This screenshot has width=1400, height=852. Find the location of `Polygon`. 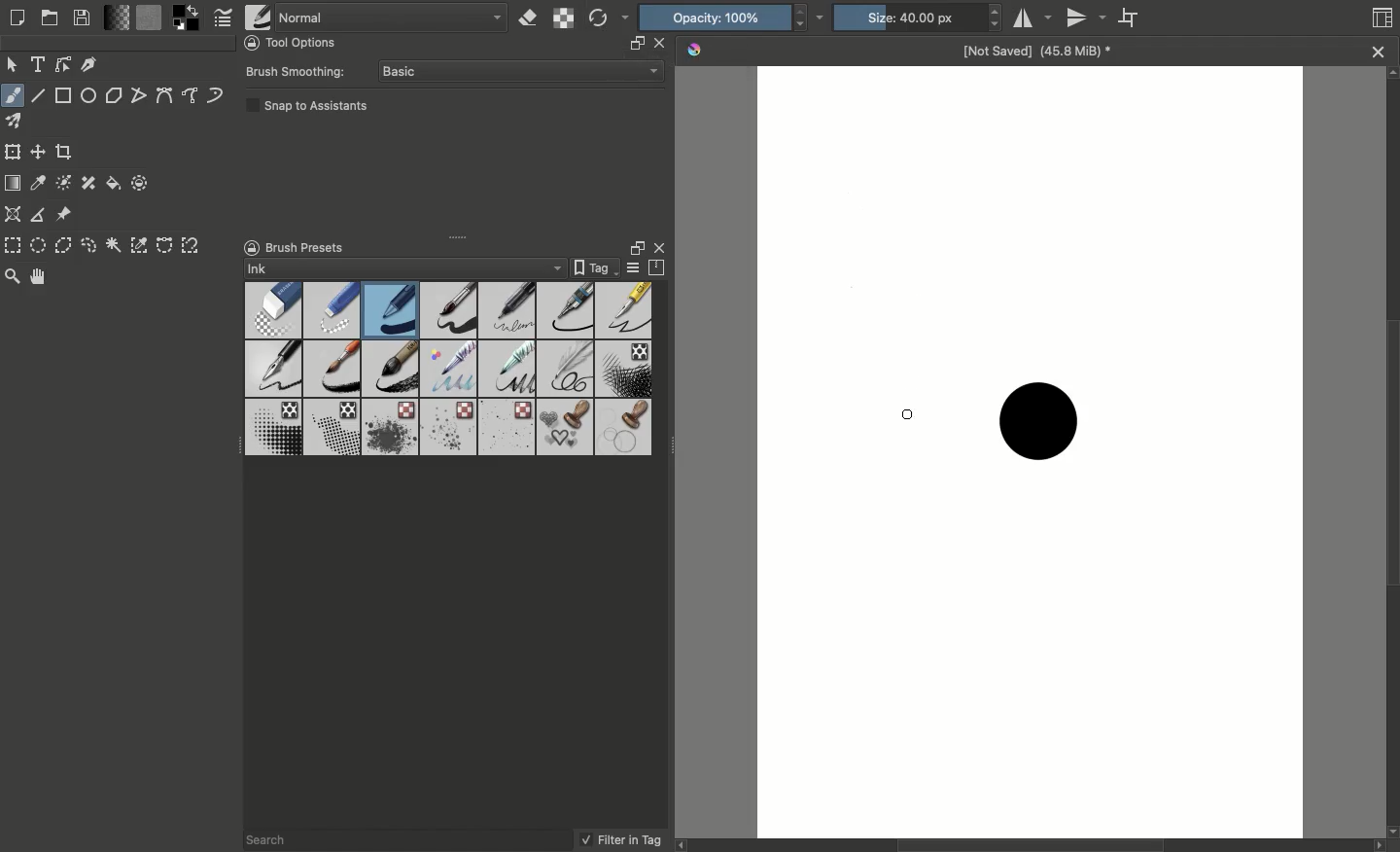

Polygon is located at coordinates (115, 97).